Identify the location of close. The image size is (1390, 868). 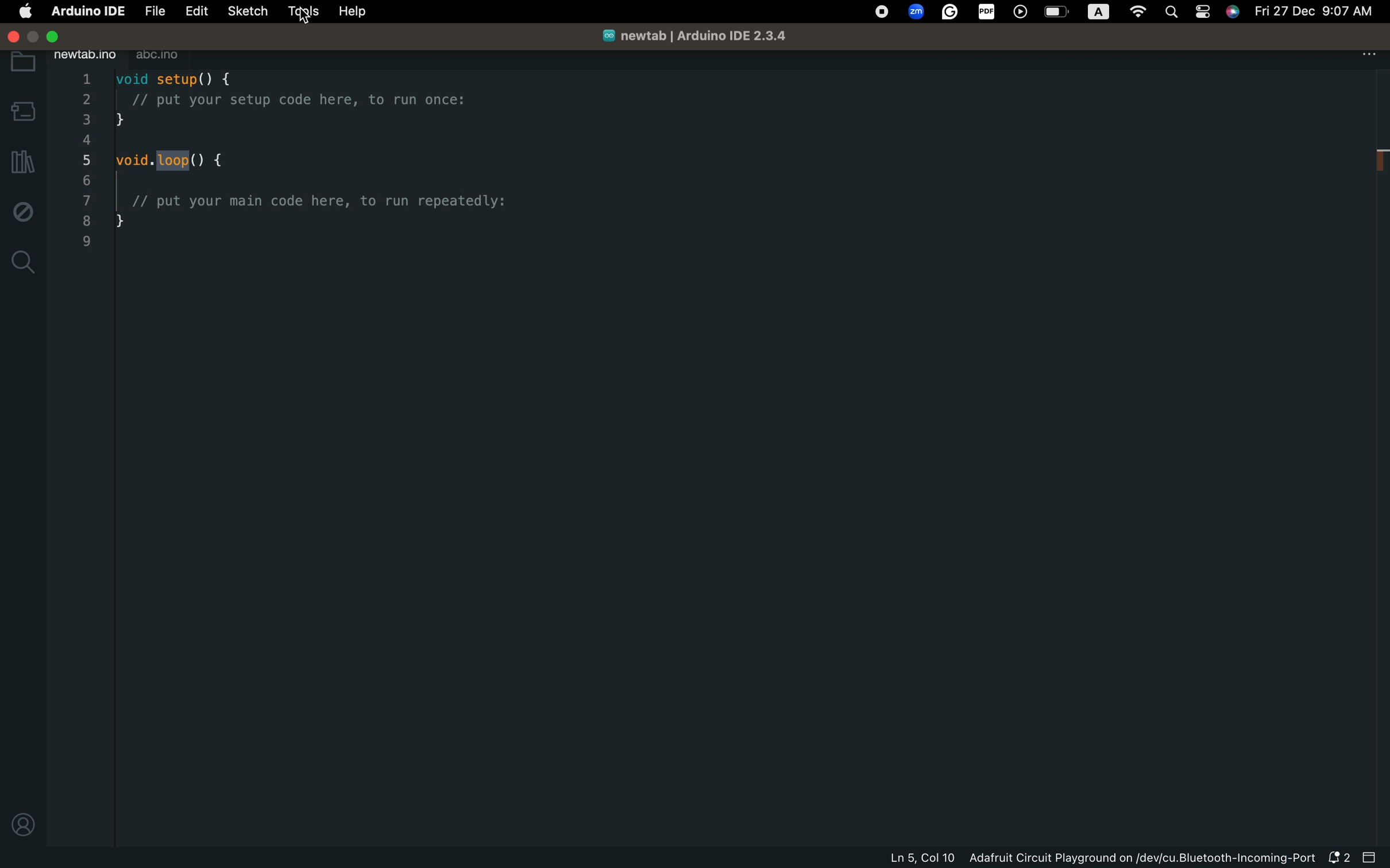
(14, 37).